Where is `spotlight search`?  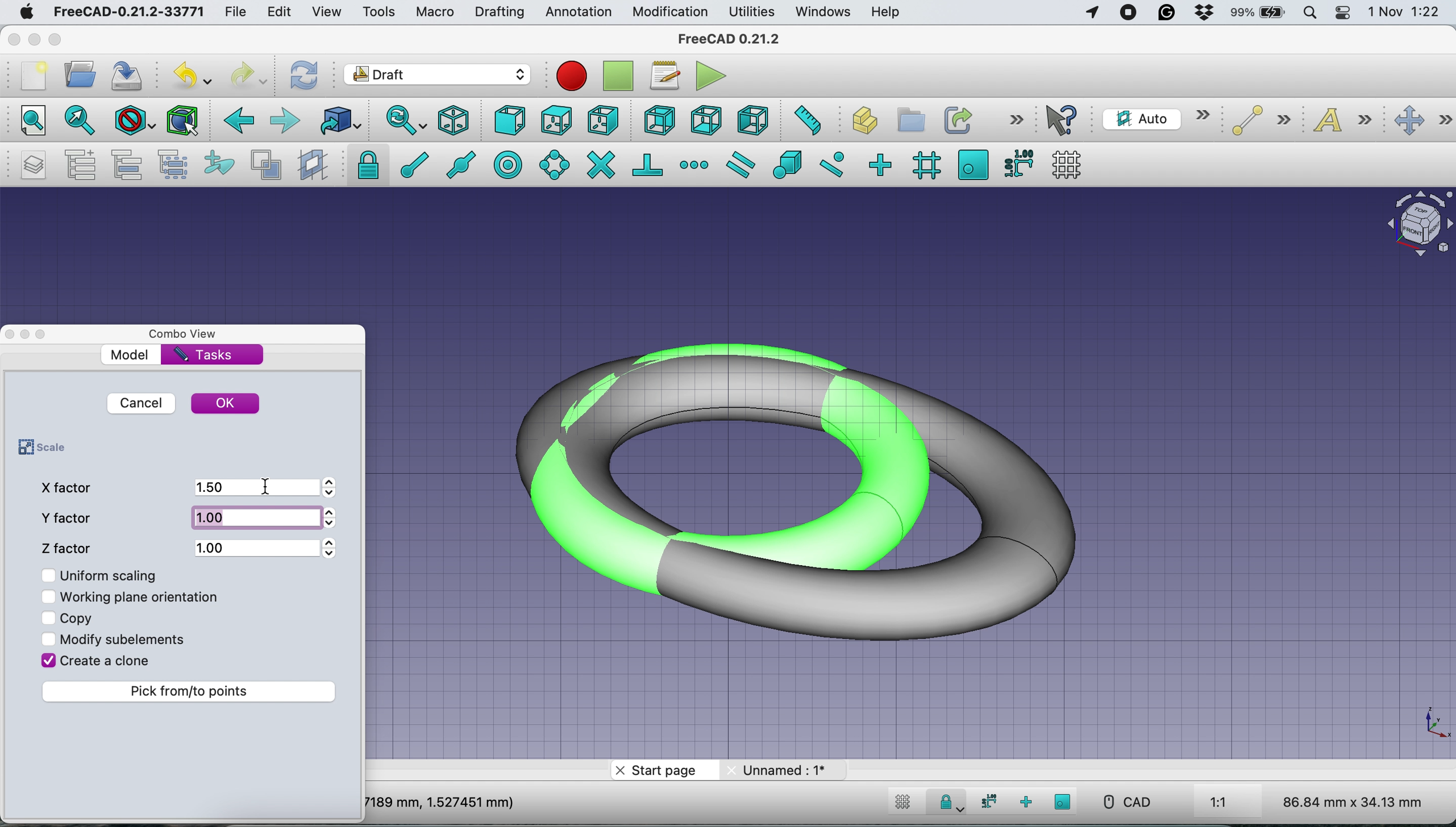
spotlight search is located at coordinates (1312, 11).